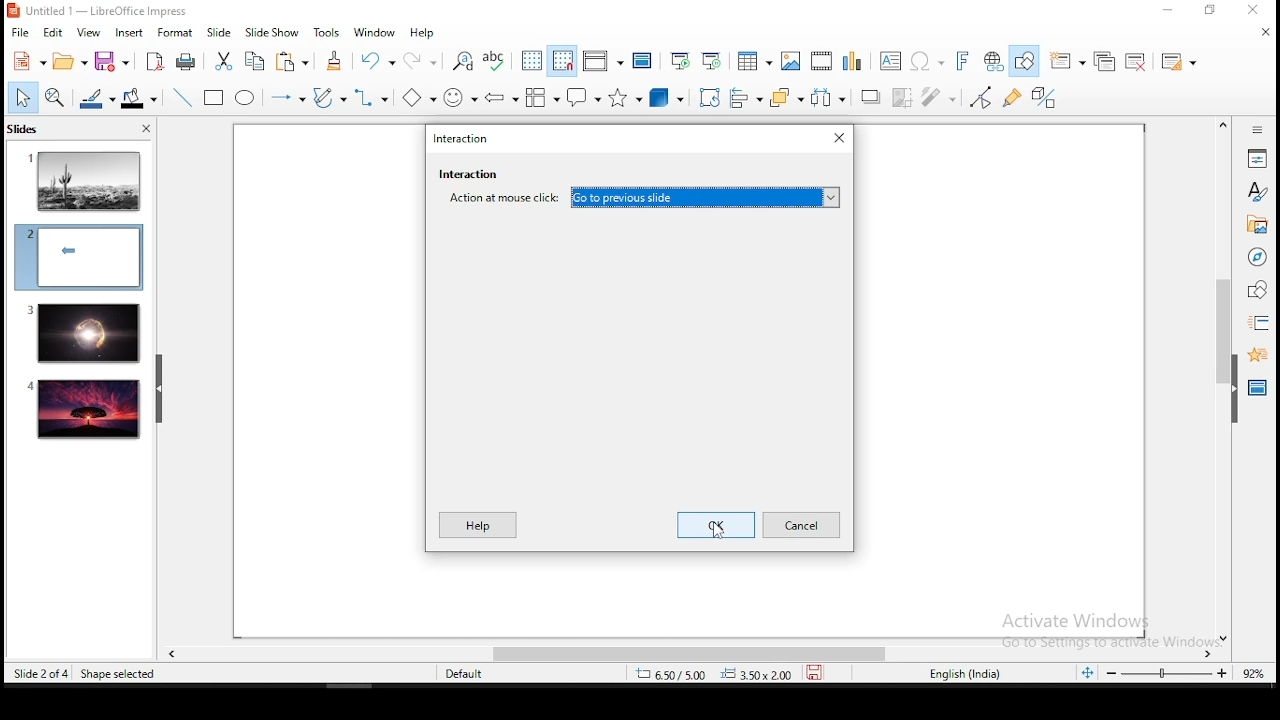 This screenshot has height=720, width=1280. Describe the element at coordinates (53, 33) in the screenshot. I see `edit` at that location.